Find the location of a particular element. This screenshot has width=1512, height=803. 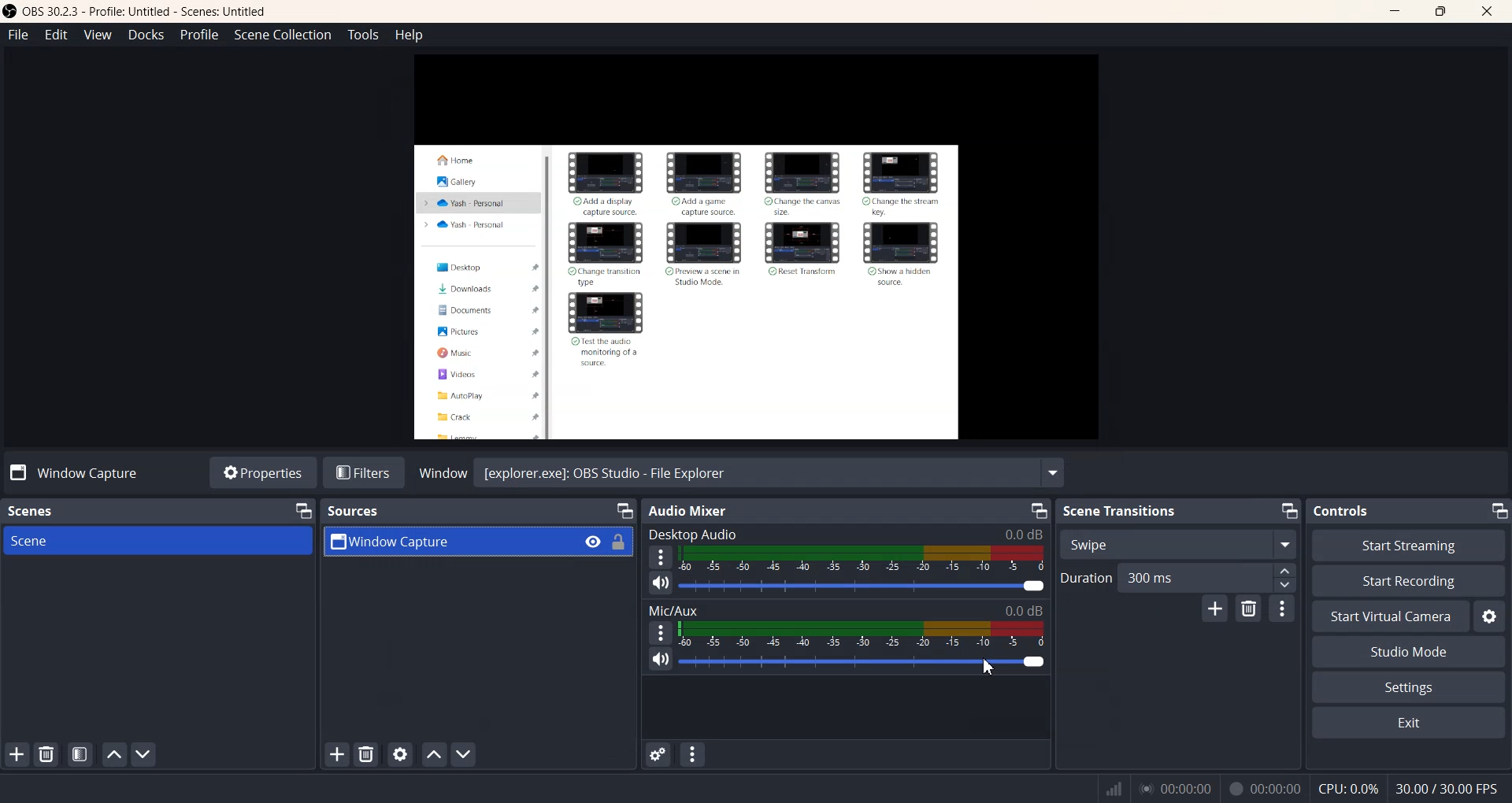

Move source down is located at coordinates (463, 754).